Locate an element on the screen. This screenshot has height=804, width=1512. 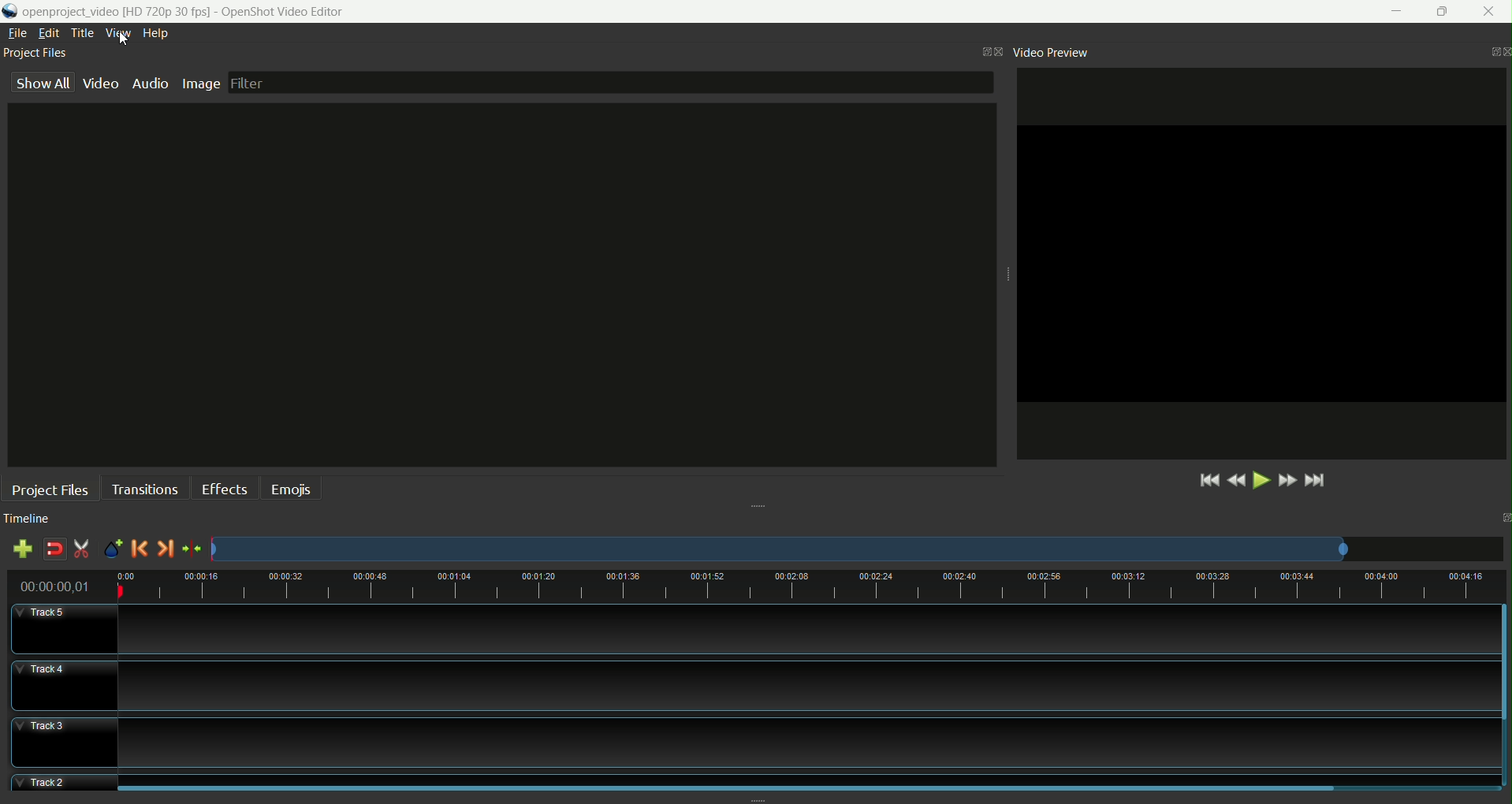
jump to start is located at coordinates (1205, 482).